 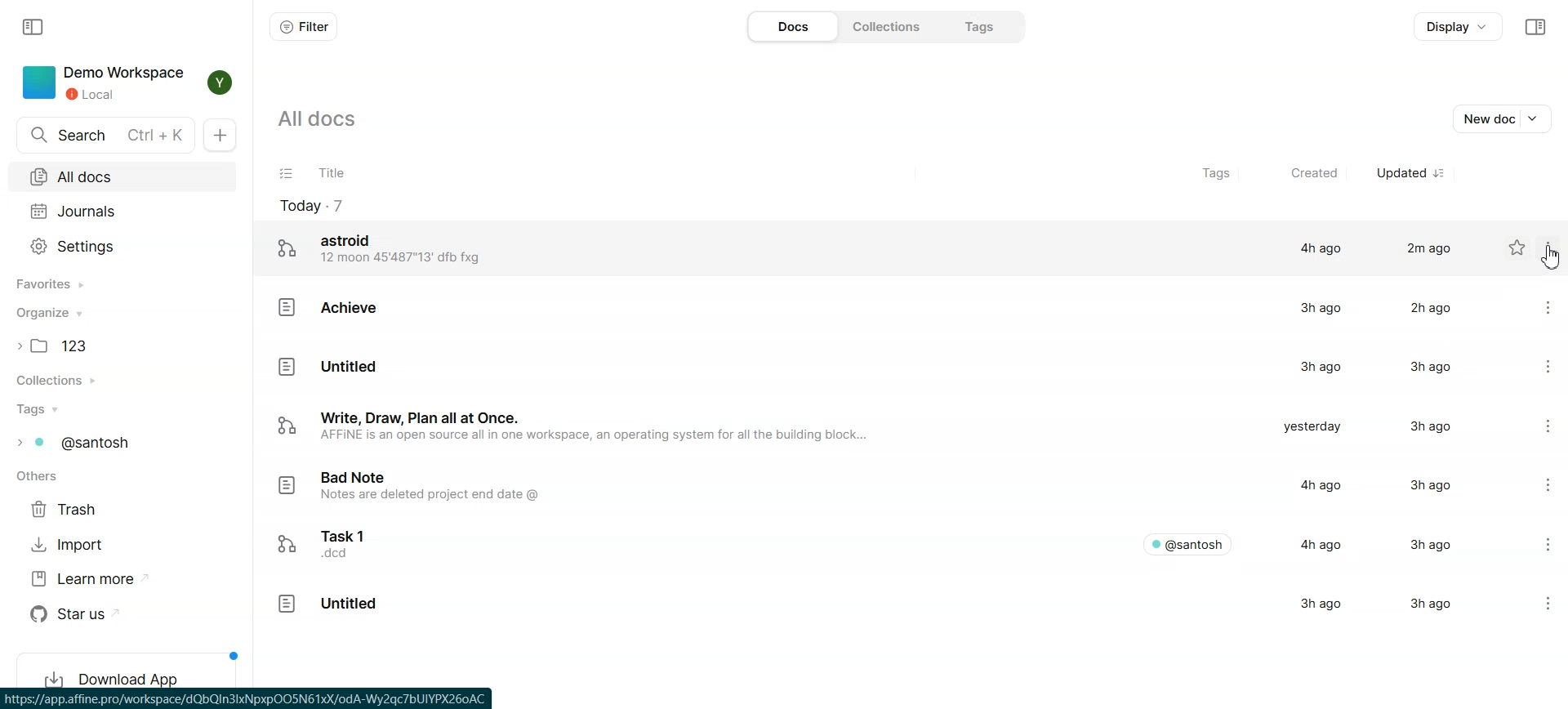 What do you see at coordinates (123, 345) in the screenshot?
I see `Folder` at bounding box center [123, 345].